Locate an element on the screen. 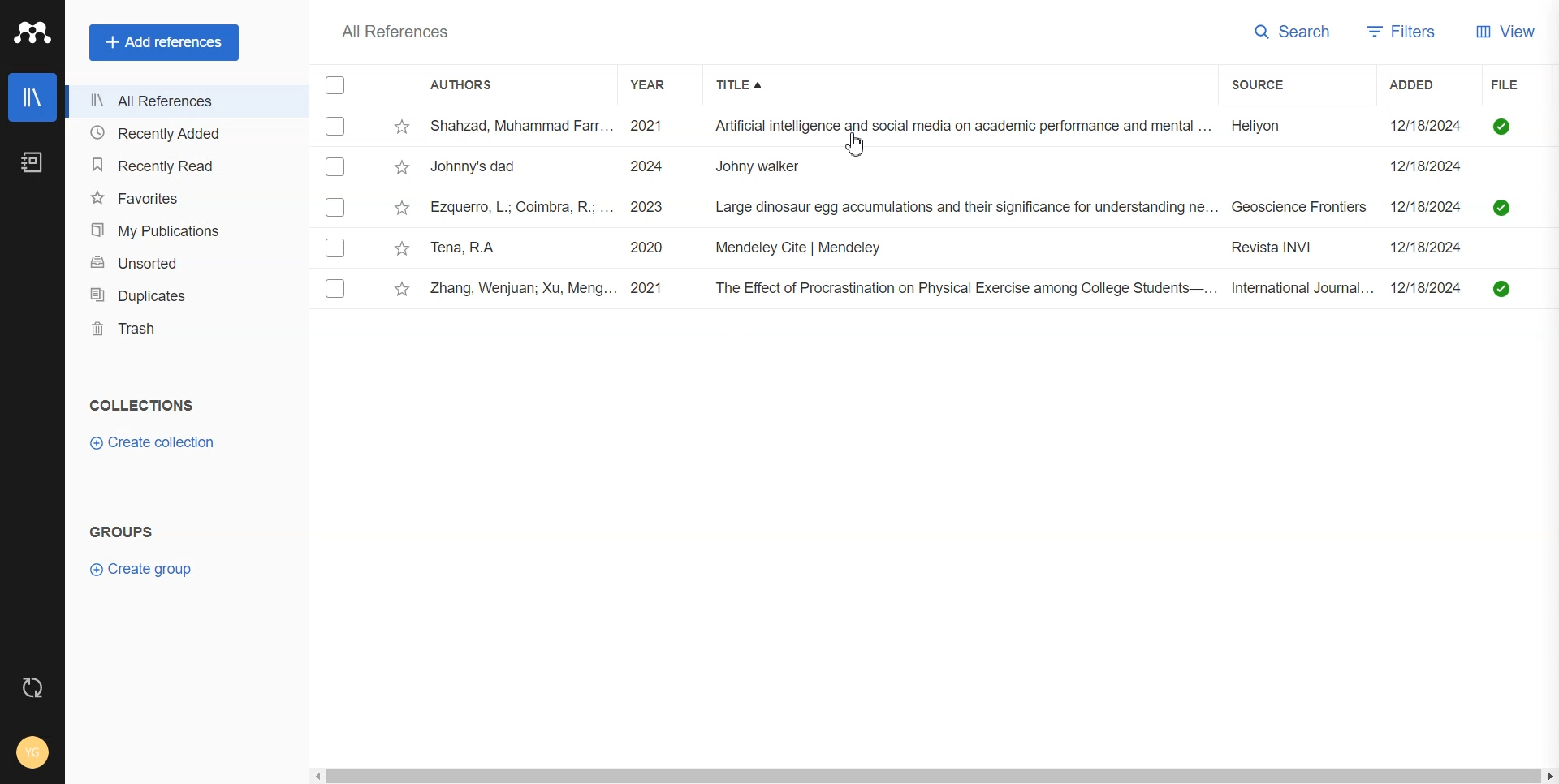 The image size is (1559, 784). Create collection is located at coordinates (152, 442).